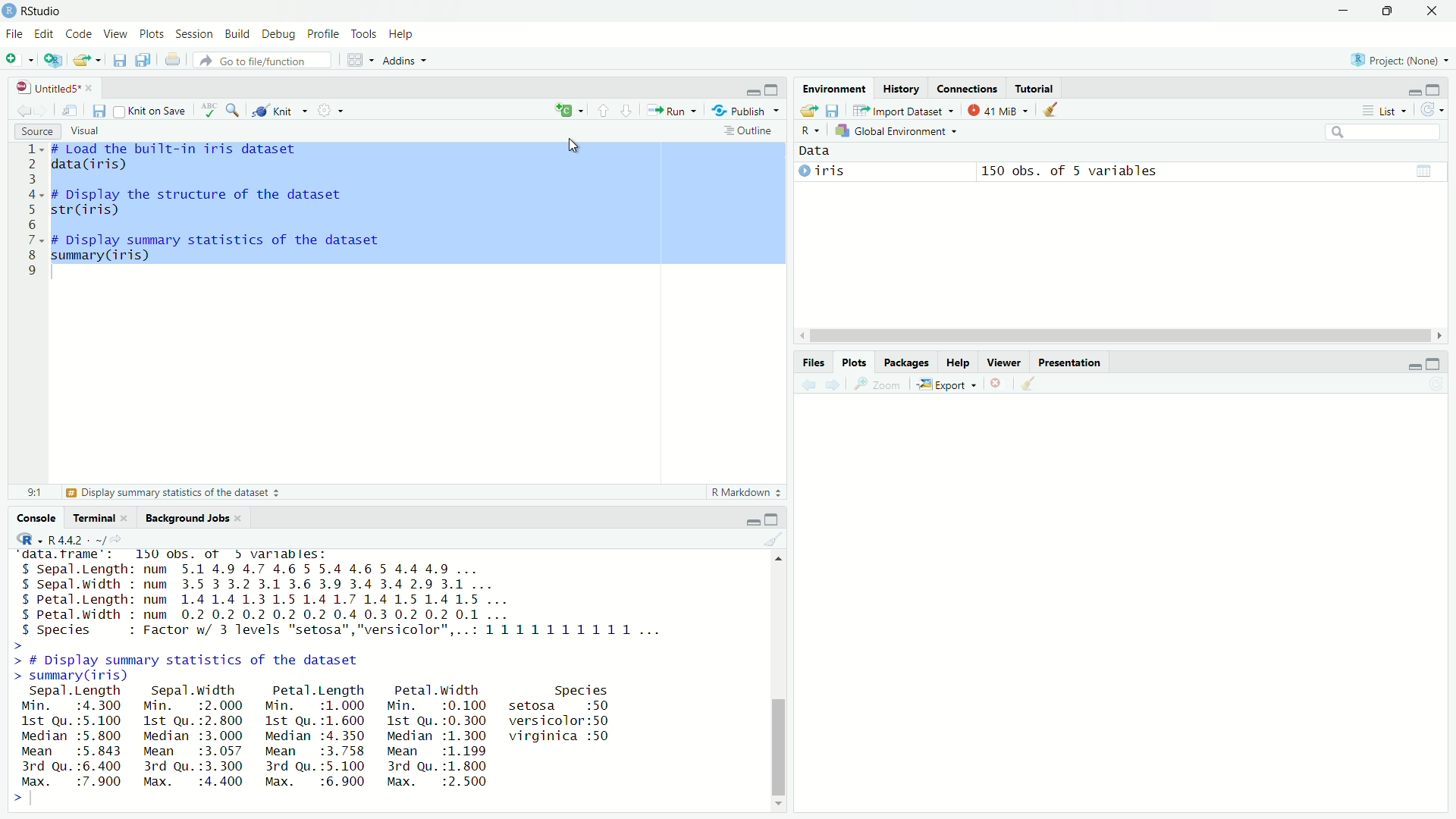  What do you see at coordinates (414, 203) in the screenshot?
I see `# Load the built-in iris datasetdata(iris)# Display the structure of the datasetstr(iris)# Display summary statistics of the datasetsummary (iris)` at bounding box center [414, 203].